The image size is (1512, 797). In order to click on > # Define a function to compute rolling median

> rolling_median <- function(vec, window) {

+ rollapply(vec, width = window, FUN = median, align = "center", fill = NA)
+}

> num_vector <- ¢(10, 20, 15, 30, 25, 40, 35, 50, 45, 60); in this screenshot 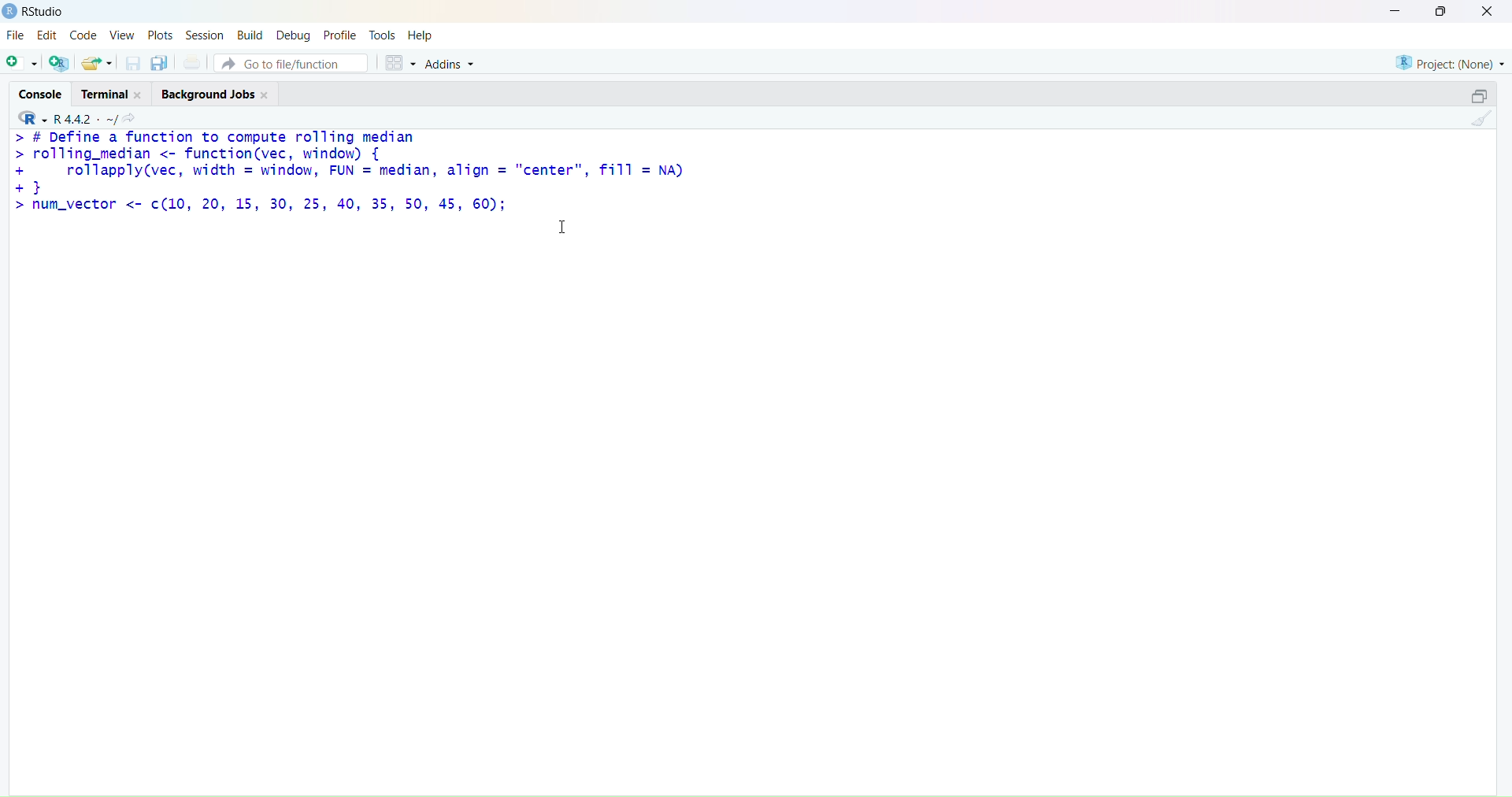, I will do `click(350, 172)`.